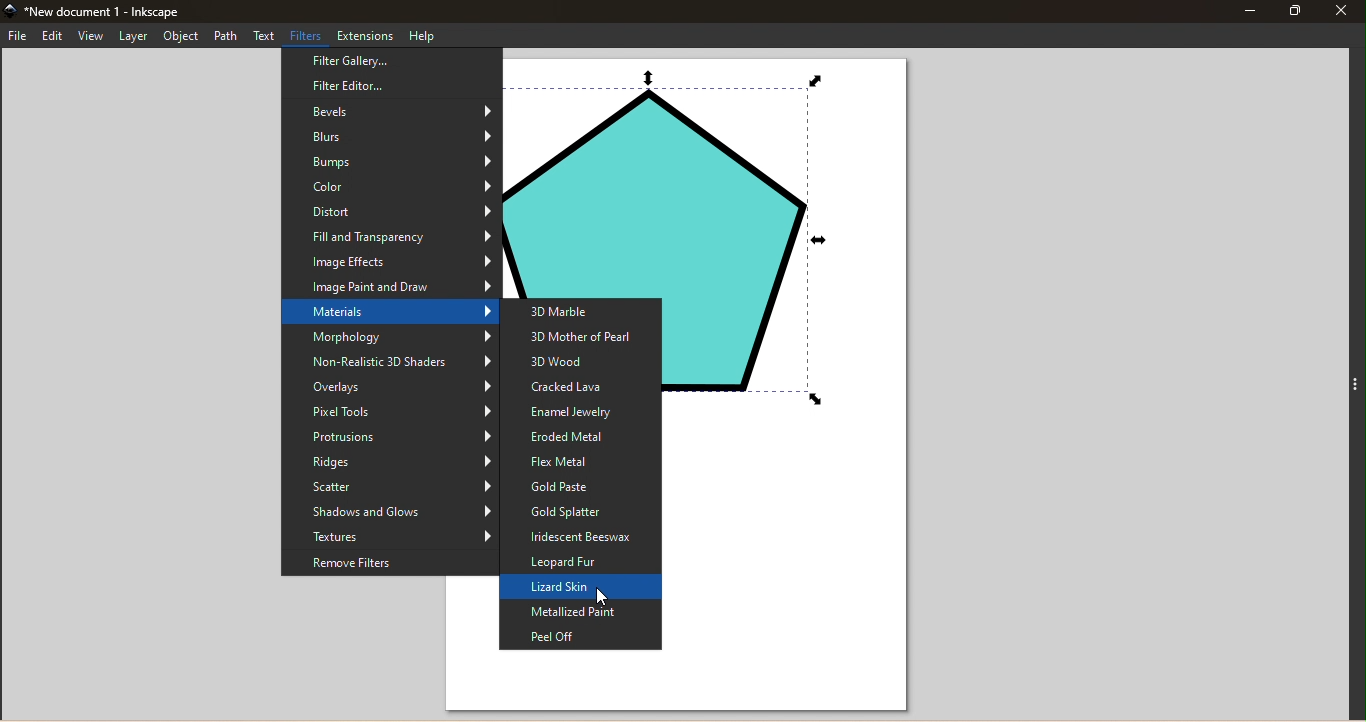 This screenshot has width=1366, height=722. What do you see at coordinates (581, 387) in the screenshot?
I see `Cracked Lava` at bounding box center [581, 387].